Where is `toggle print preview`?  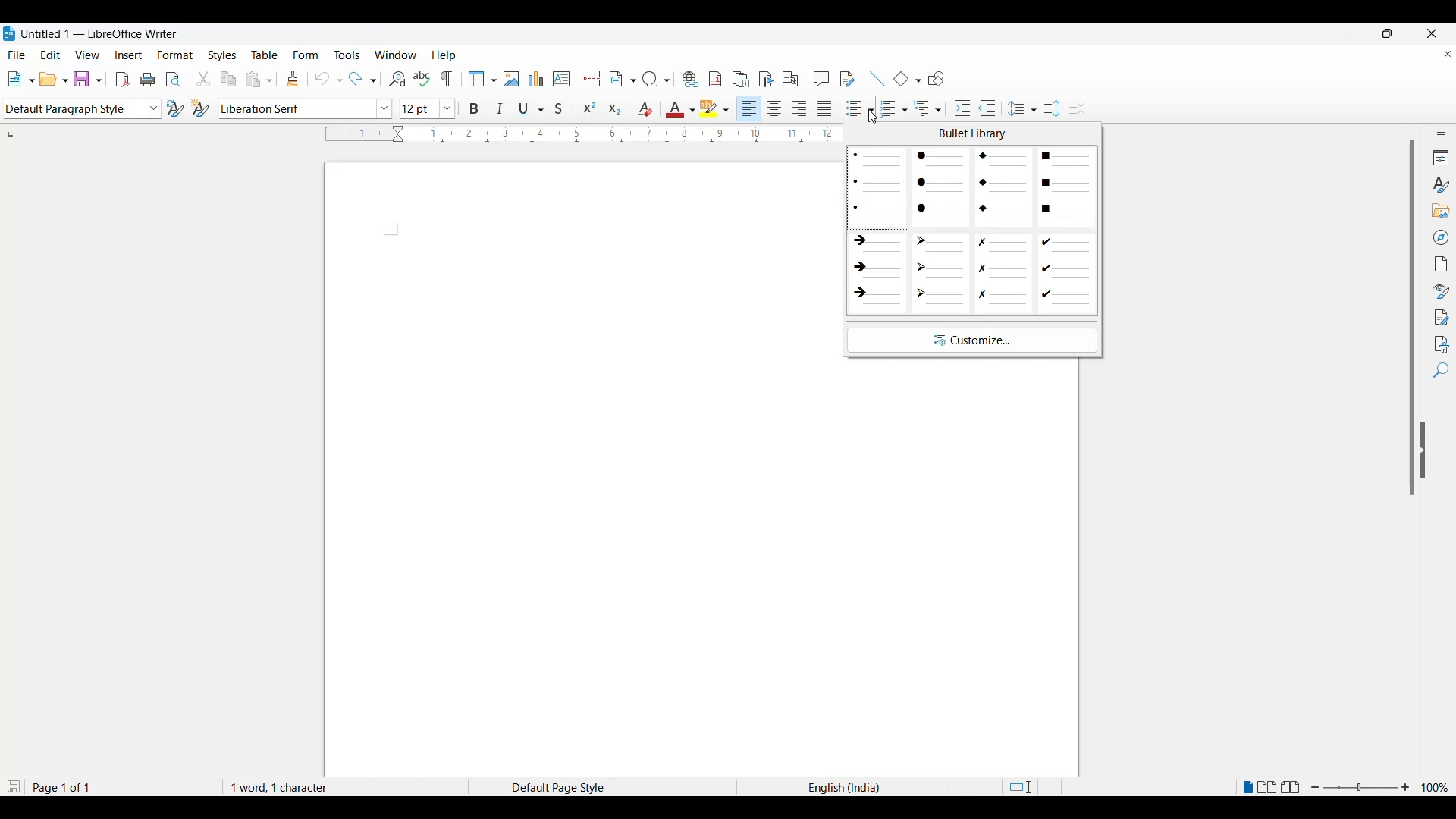
toggle print preview is located at coordinates (174, 79).